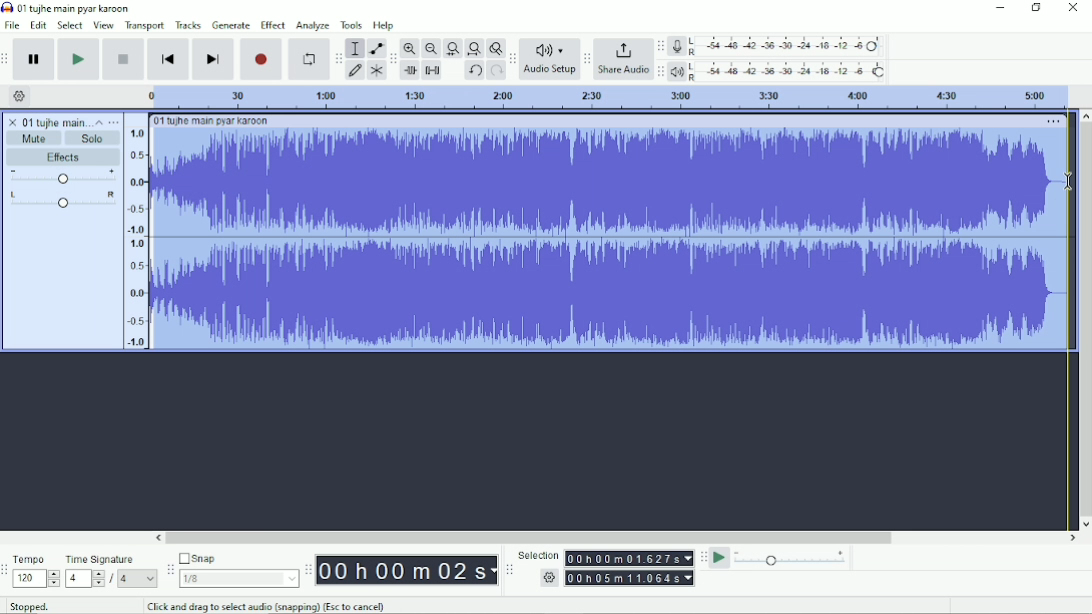  Describe the element at coordinates (7, 570) in the screenshot. I see `Audacity time signature toolbar` at that location.